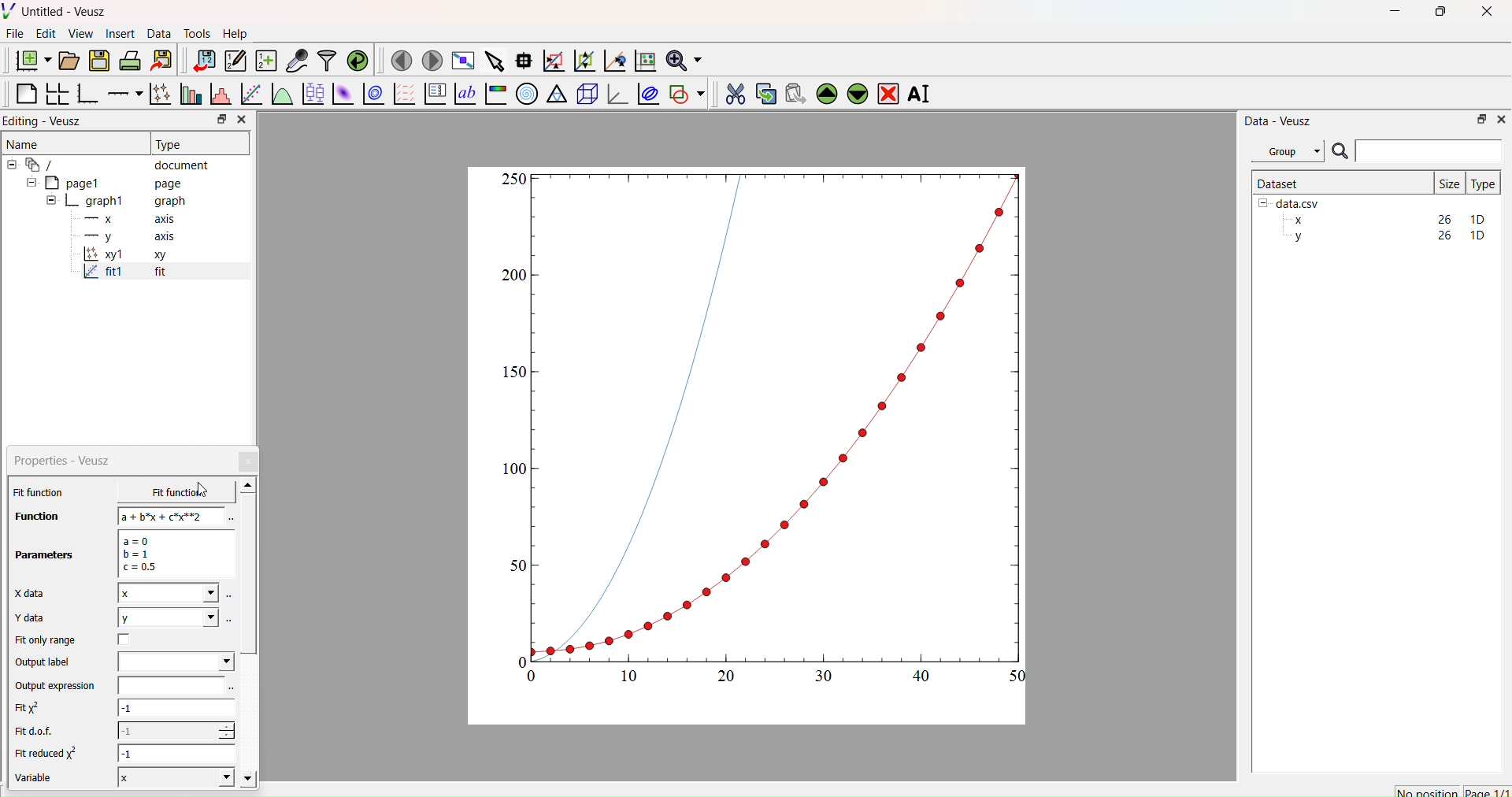  I want to click on Polar Graph, so click(527, 94).